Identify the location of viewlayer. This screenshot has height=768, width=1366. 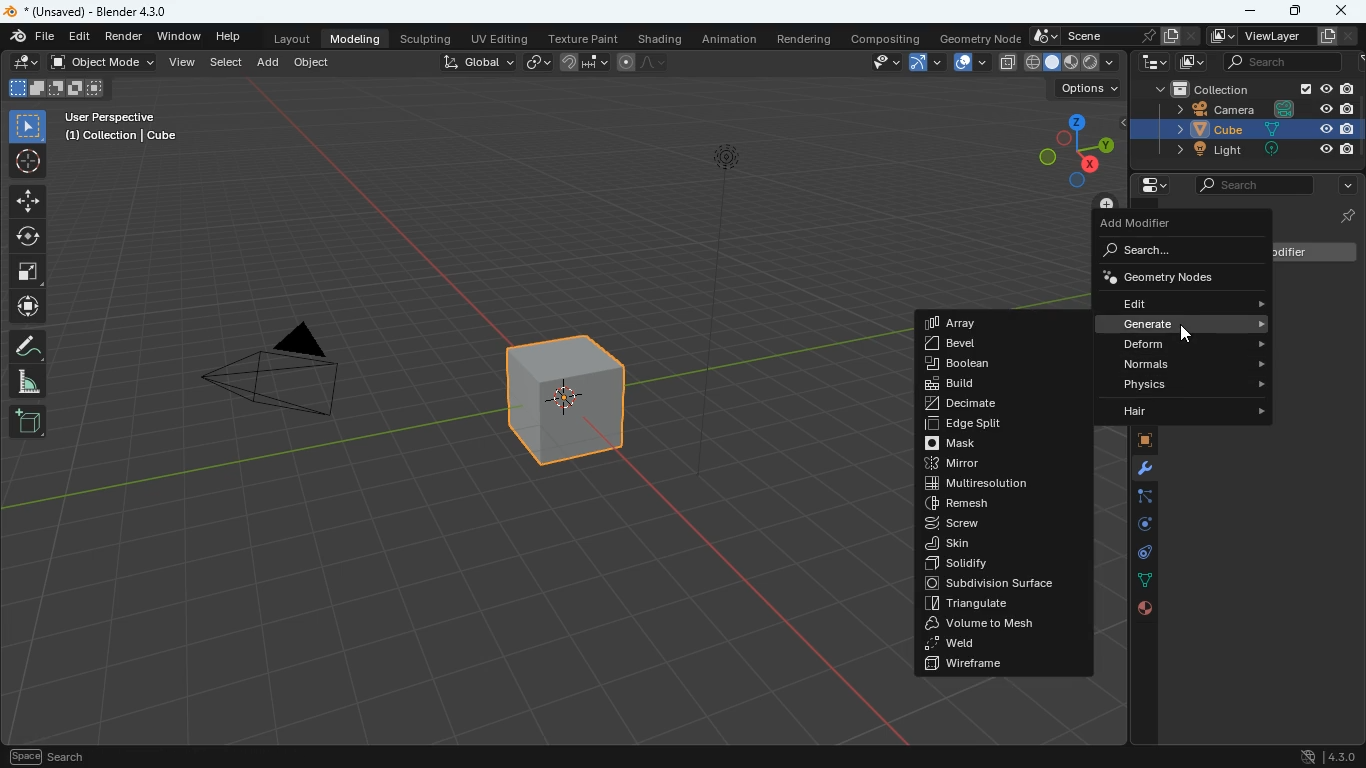
(1276, 37).